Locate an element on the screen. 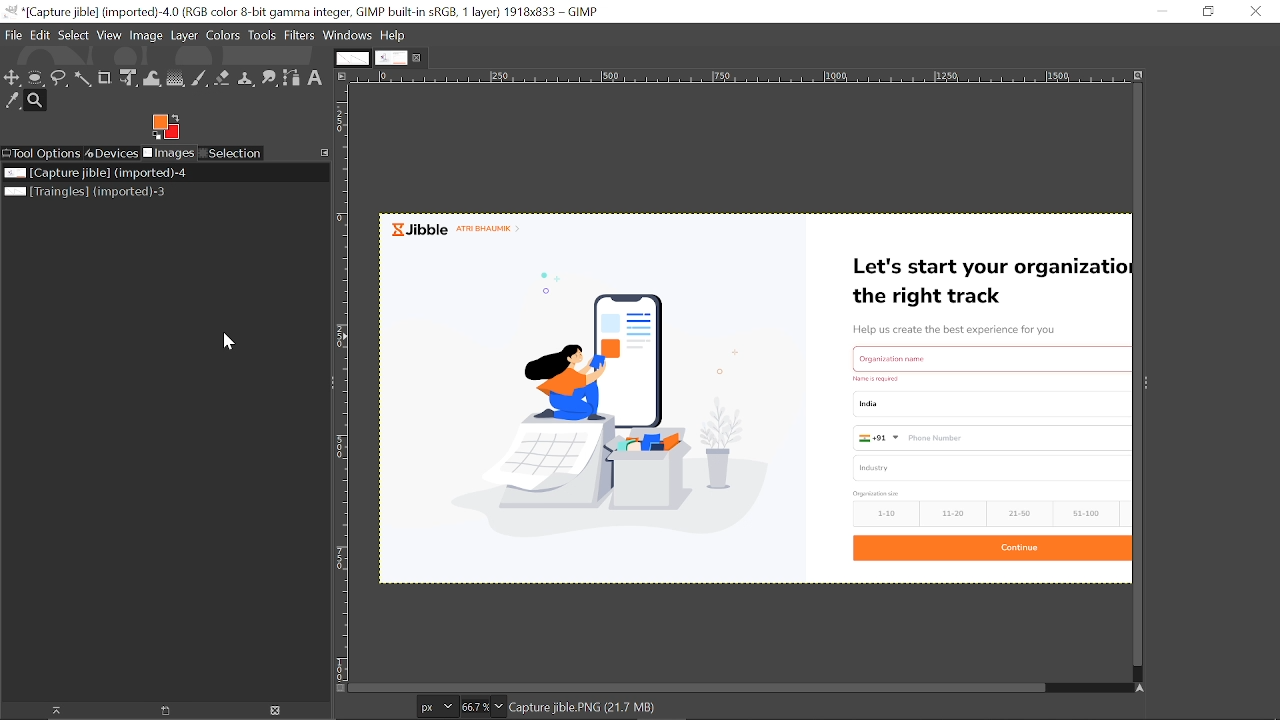 This screenshot has height=720, width=1280. Smudge tool is located at coordinates (268, 78).